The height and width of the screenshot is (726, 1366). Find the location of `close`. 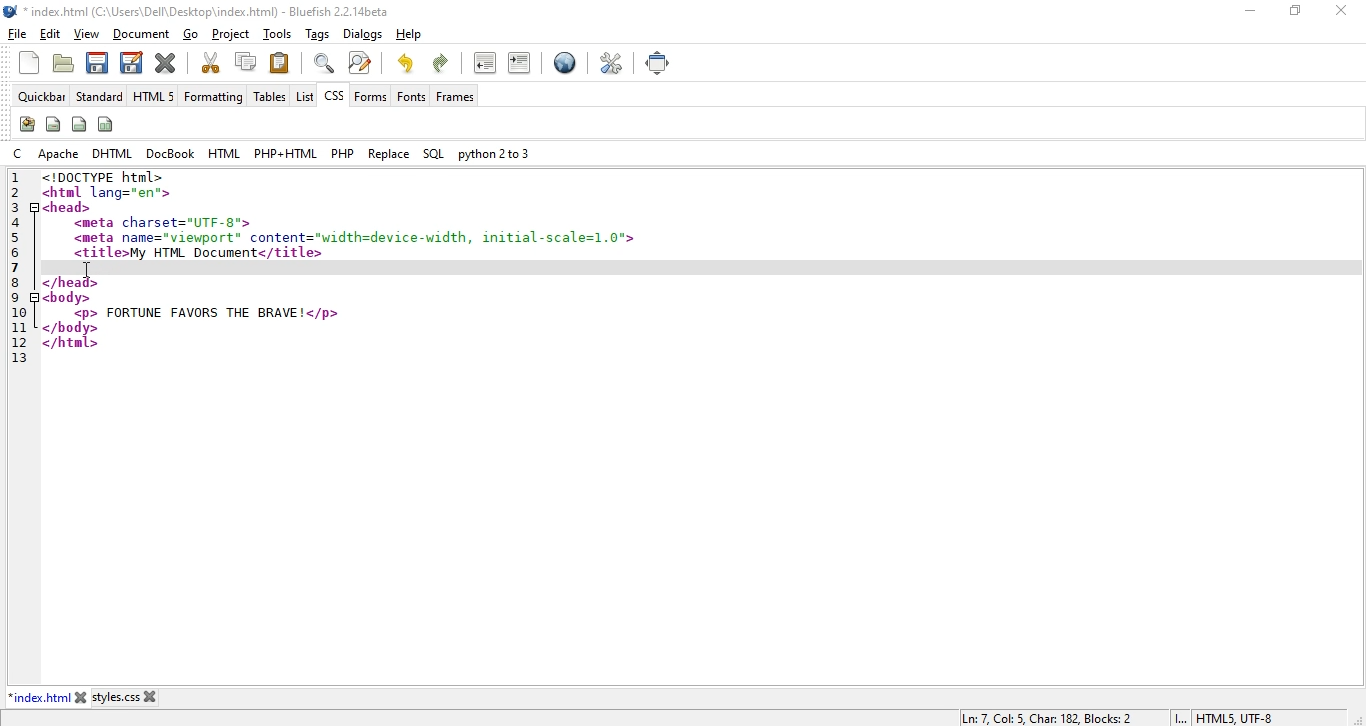

close is located at coordinates (150, 696).